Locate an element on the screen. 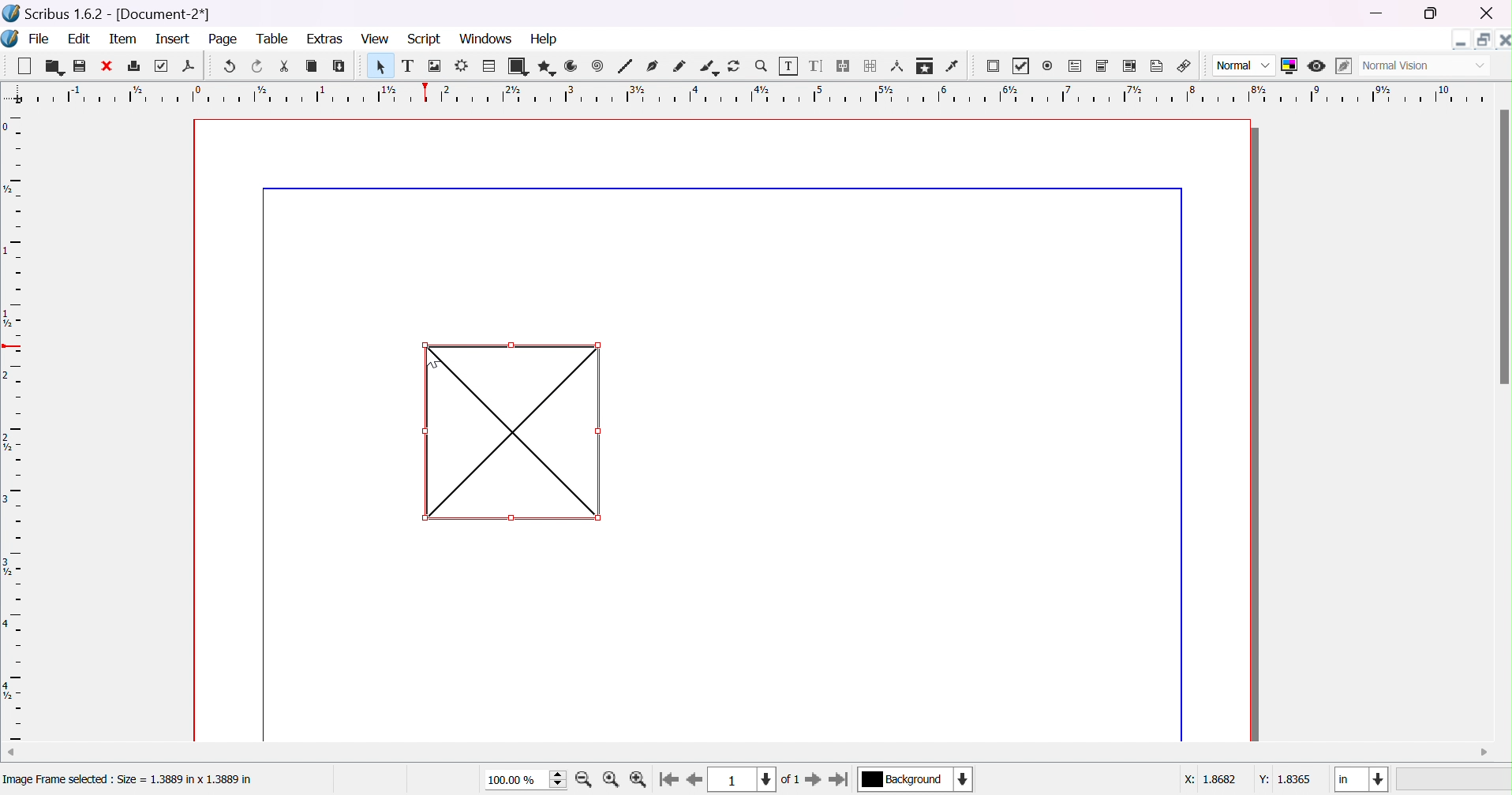 Image resolution: width=1512 pixels, height=795 pixels. calligraphic line is located at coordinates (708, 65).